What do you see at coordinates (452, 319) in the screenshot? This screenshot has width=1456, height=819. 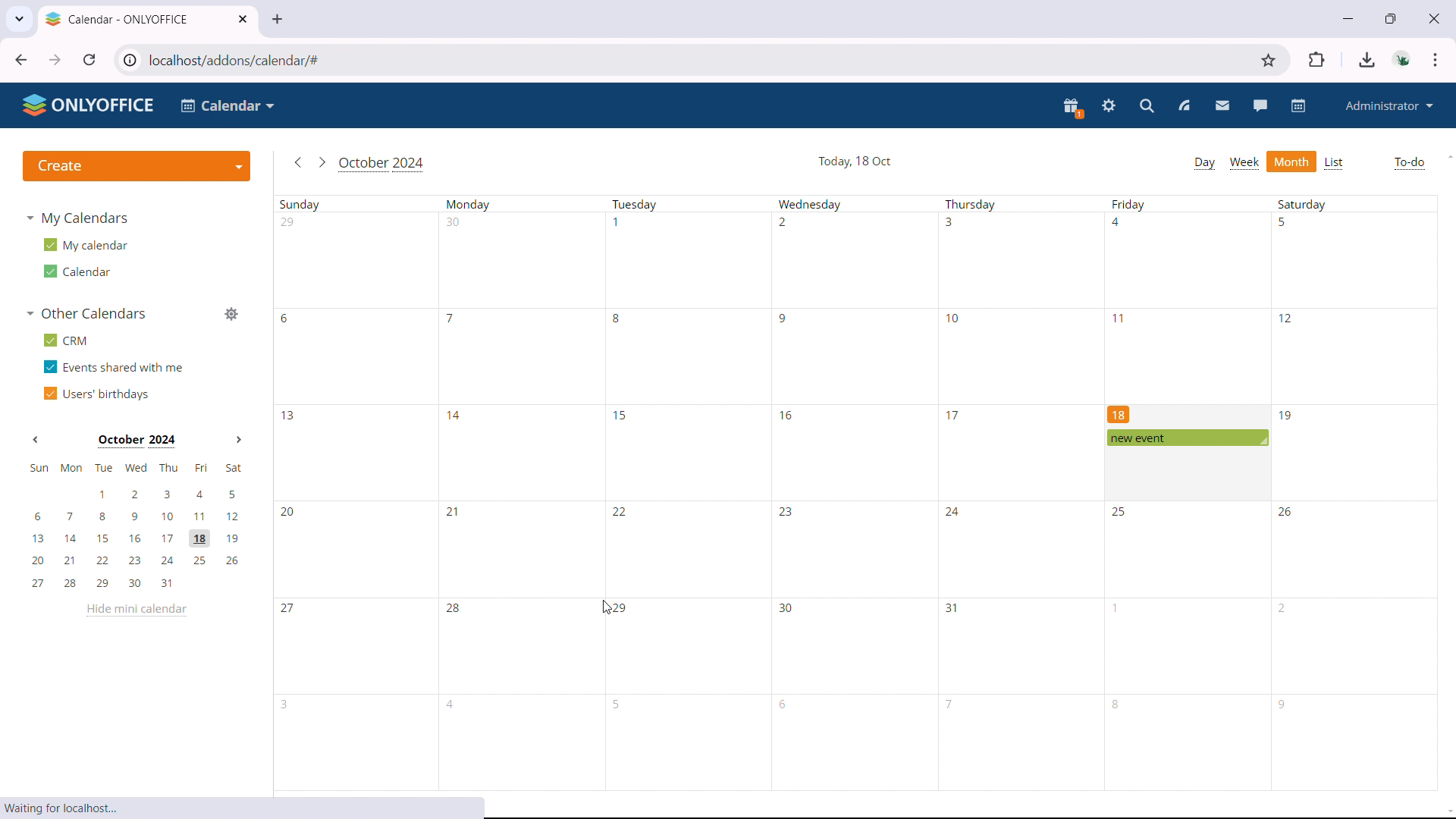 I see `7` at bounding box center [452, 319].